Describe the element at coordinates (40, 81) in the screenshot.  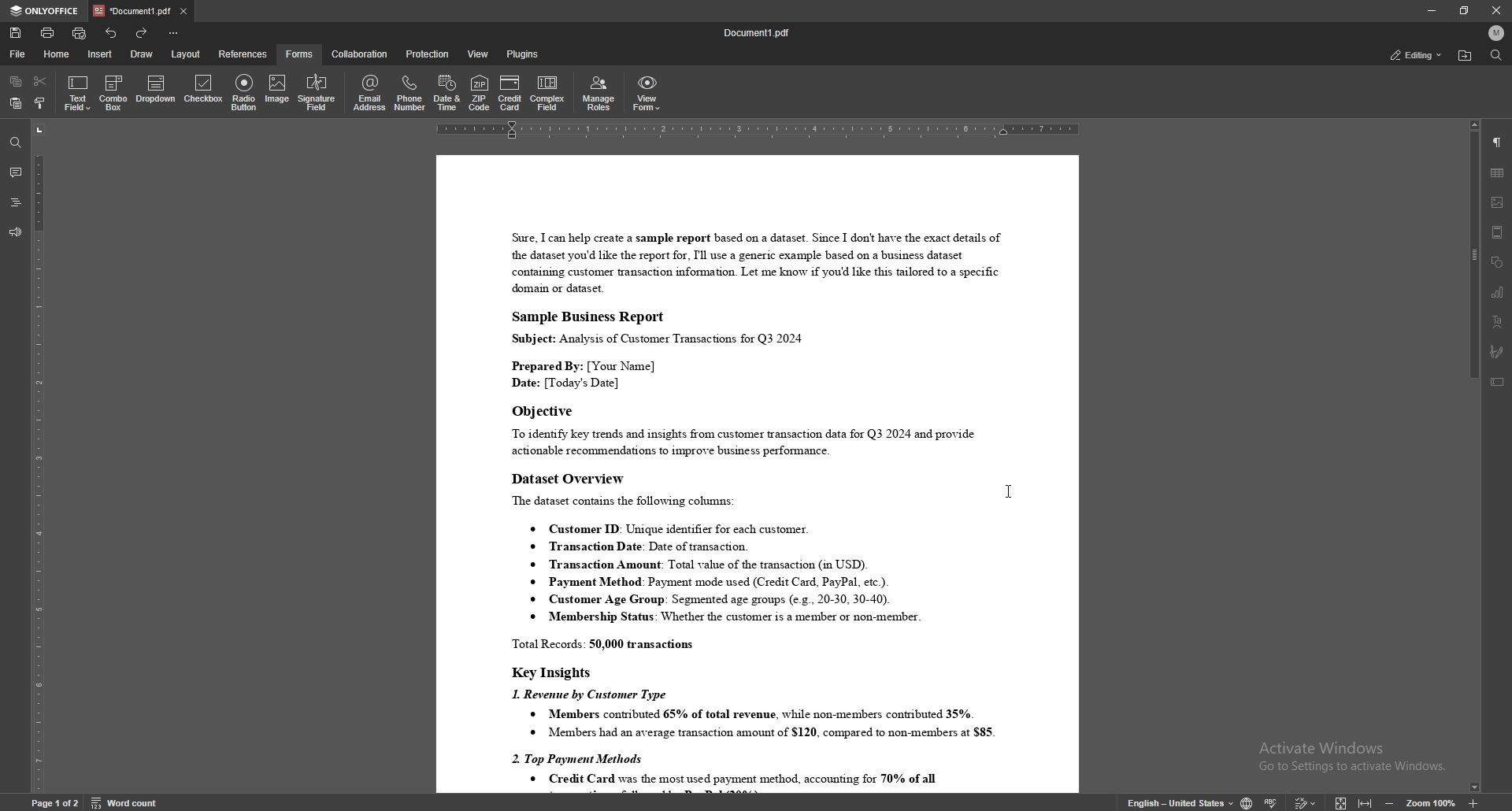
I see `cut` at that location.